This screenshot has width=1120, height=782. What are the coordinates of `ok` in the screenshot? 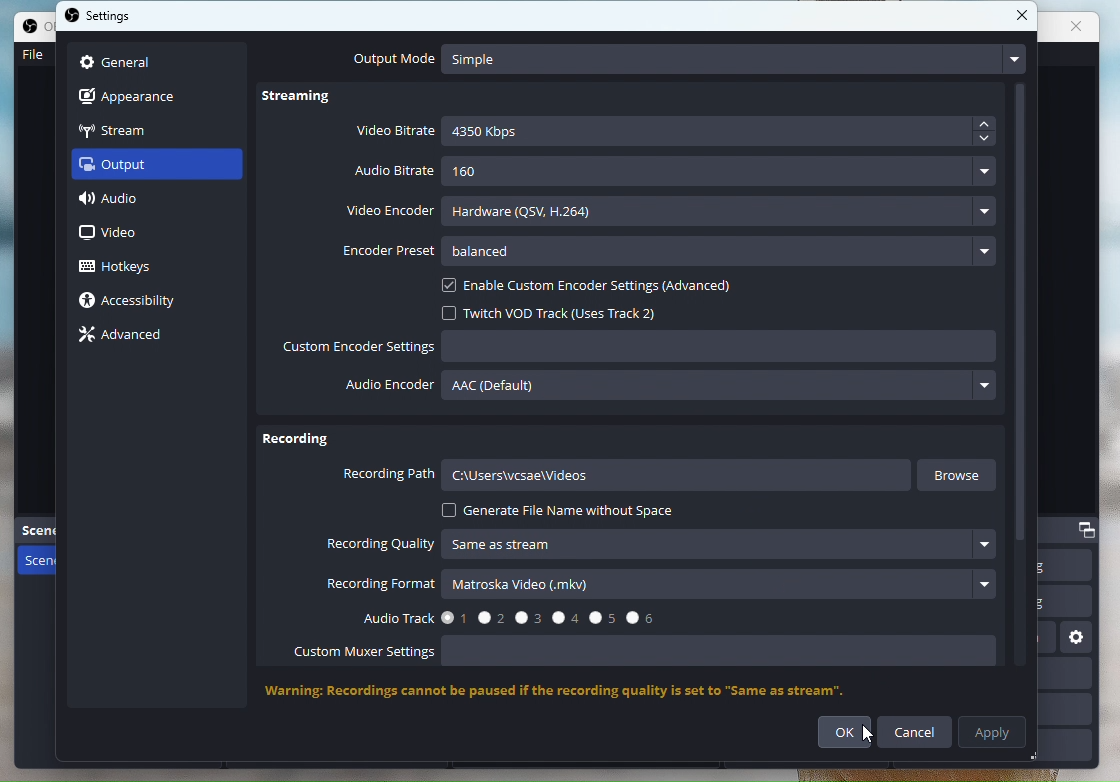 It's located at (850, 733).